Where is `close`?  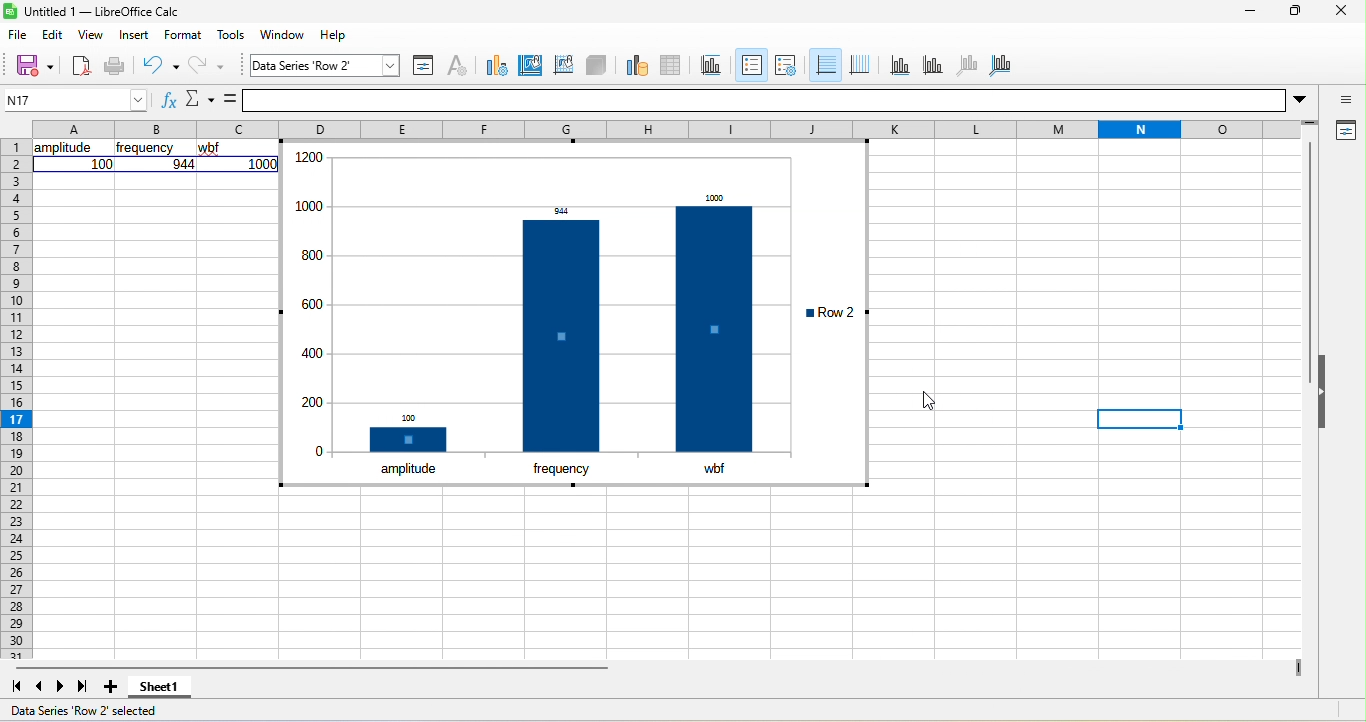
close is located at coordinates (1337, 13).